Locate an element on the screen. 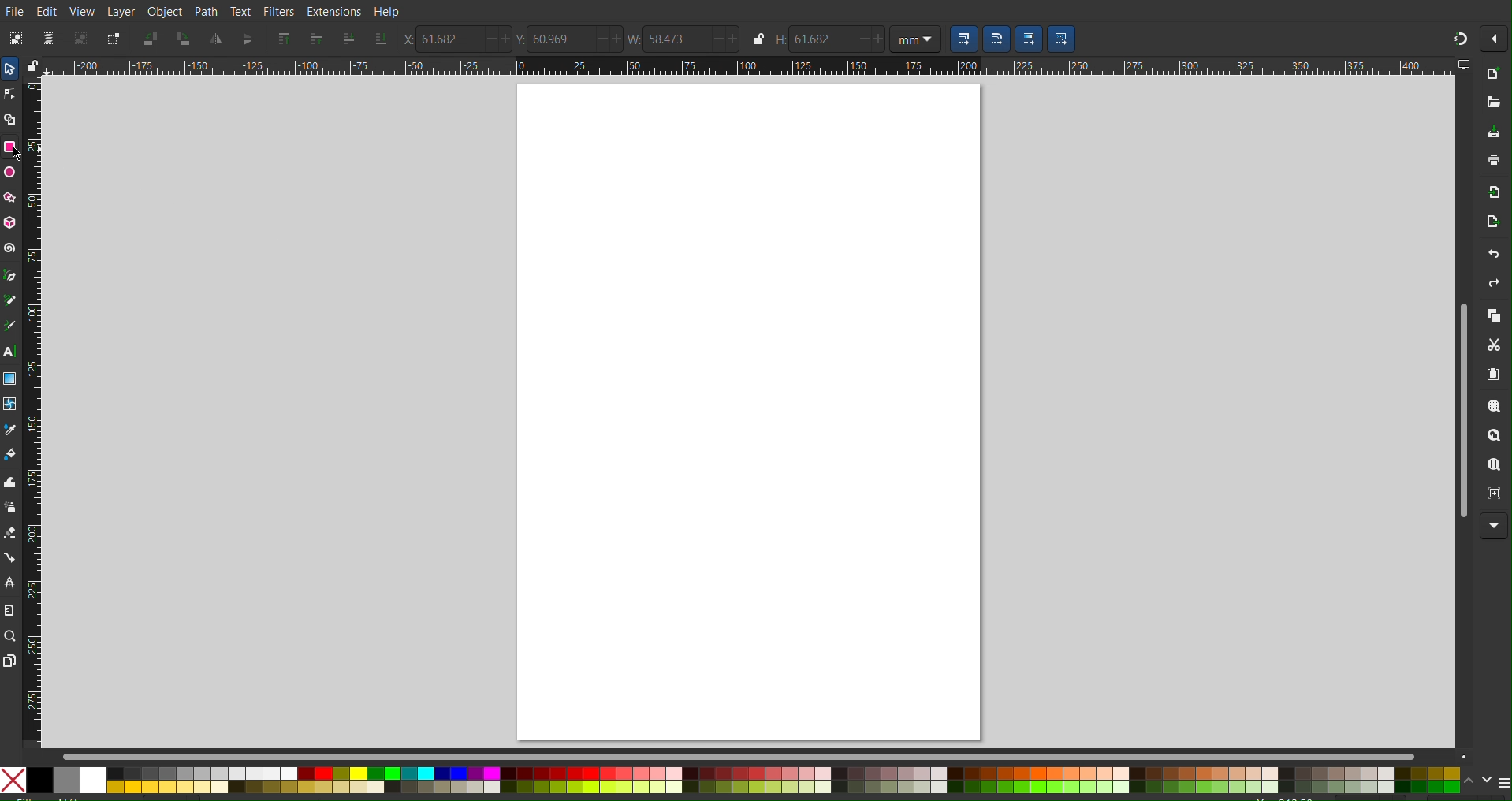  Cut is located at coordinates (1496, 347).